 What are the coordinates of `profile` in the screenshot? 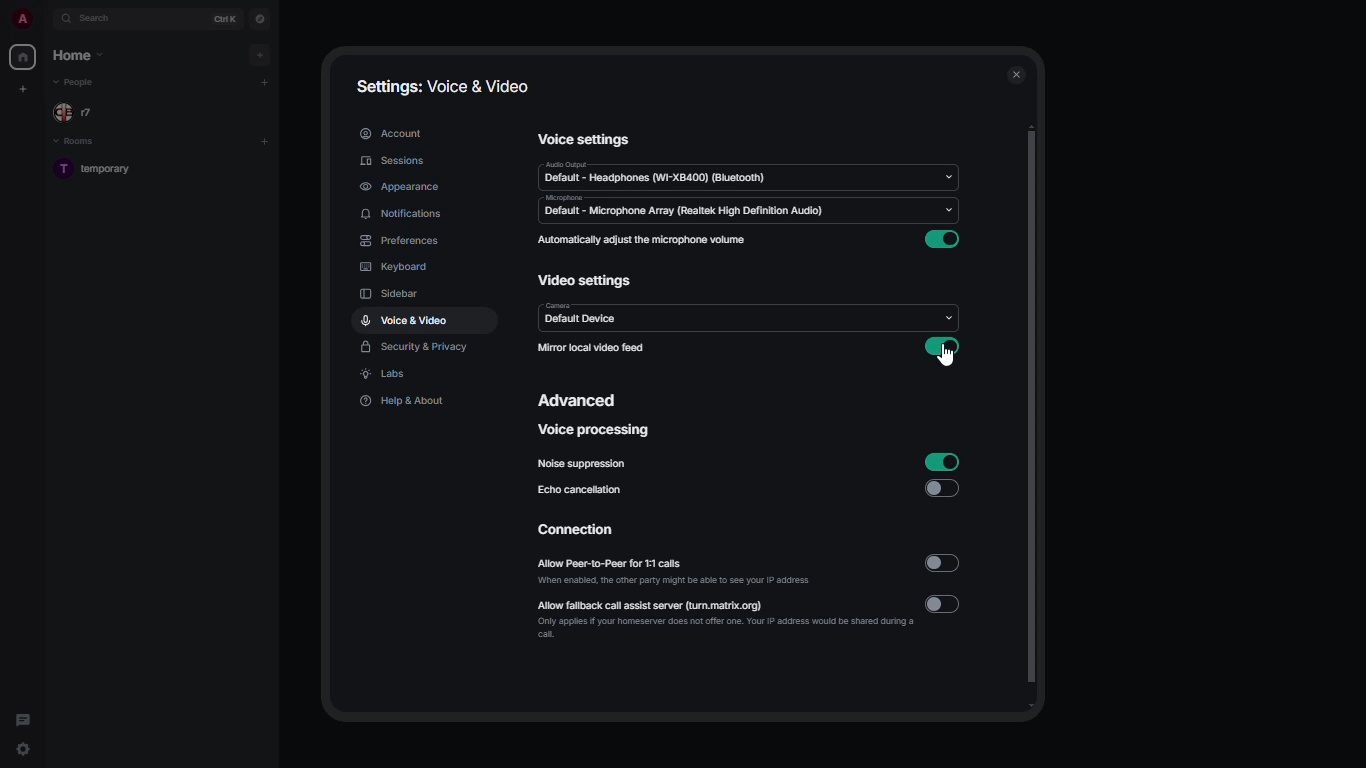 It's located at (21, 18).